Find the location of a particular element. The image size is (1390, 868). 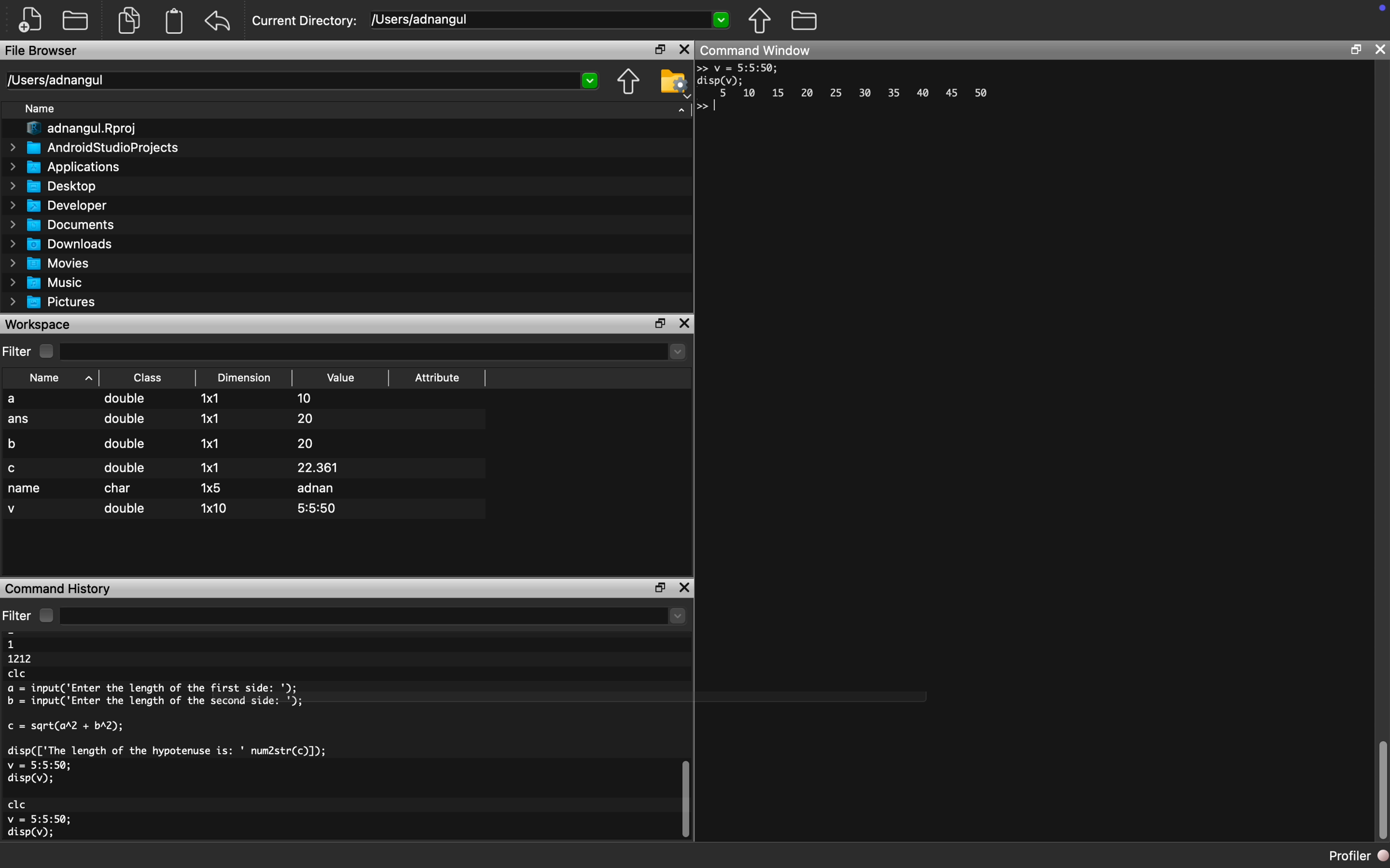

>> v = 5:5:50;  disp(v);  5 10 15 20 25 30 35 40 45 50 >> is located at coordinates (847, 88).